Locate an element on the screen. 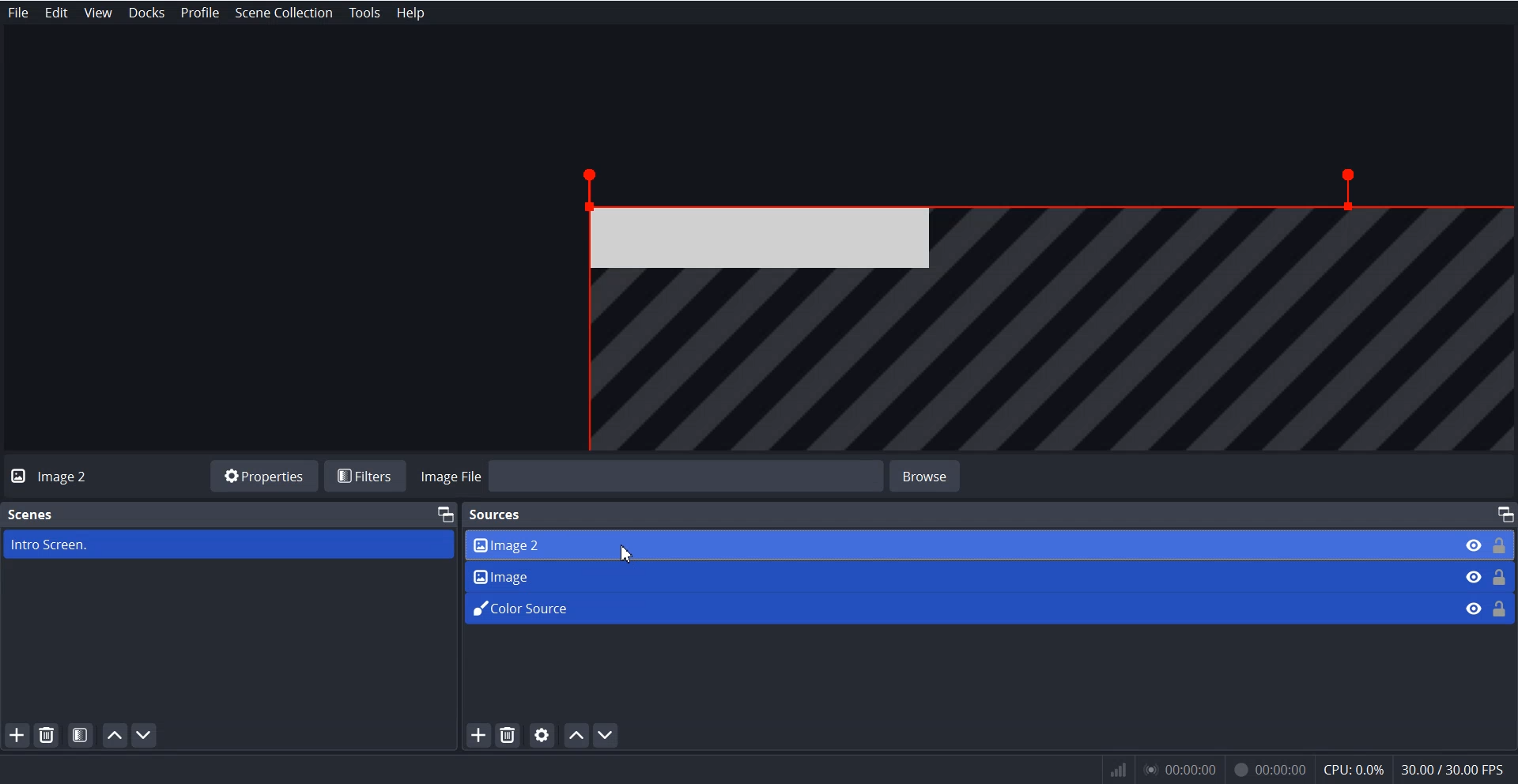  Image 2 is located at coordinates (69, 477).